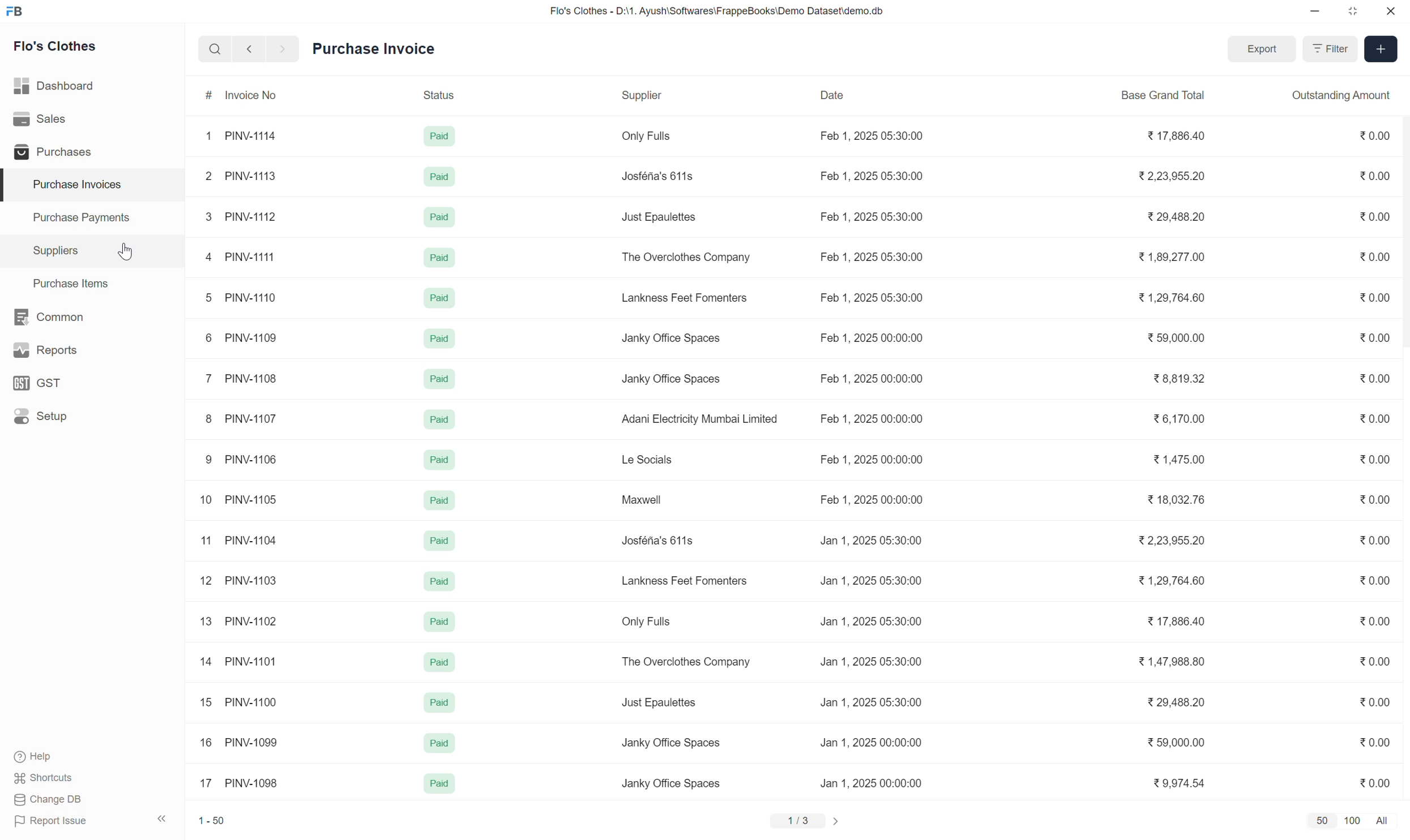 The height and width of the screenshot is (840, 1410). Describe the element at coordinates (240, 256) in the screenshot. I see `4 PINV-1111` at that location.